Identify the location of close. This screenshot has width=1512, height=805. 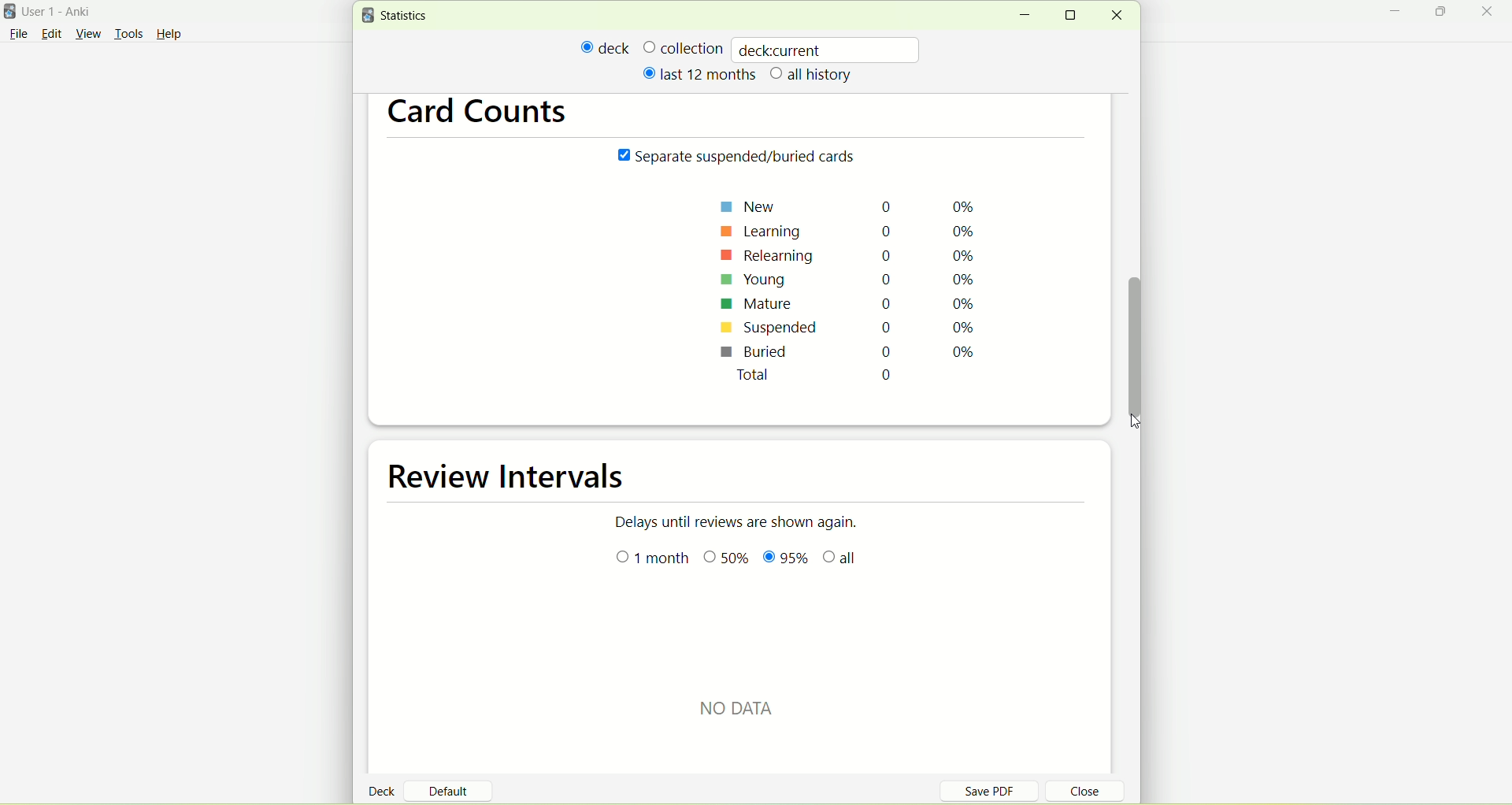
(1076, 793).